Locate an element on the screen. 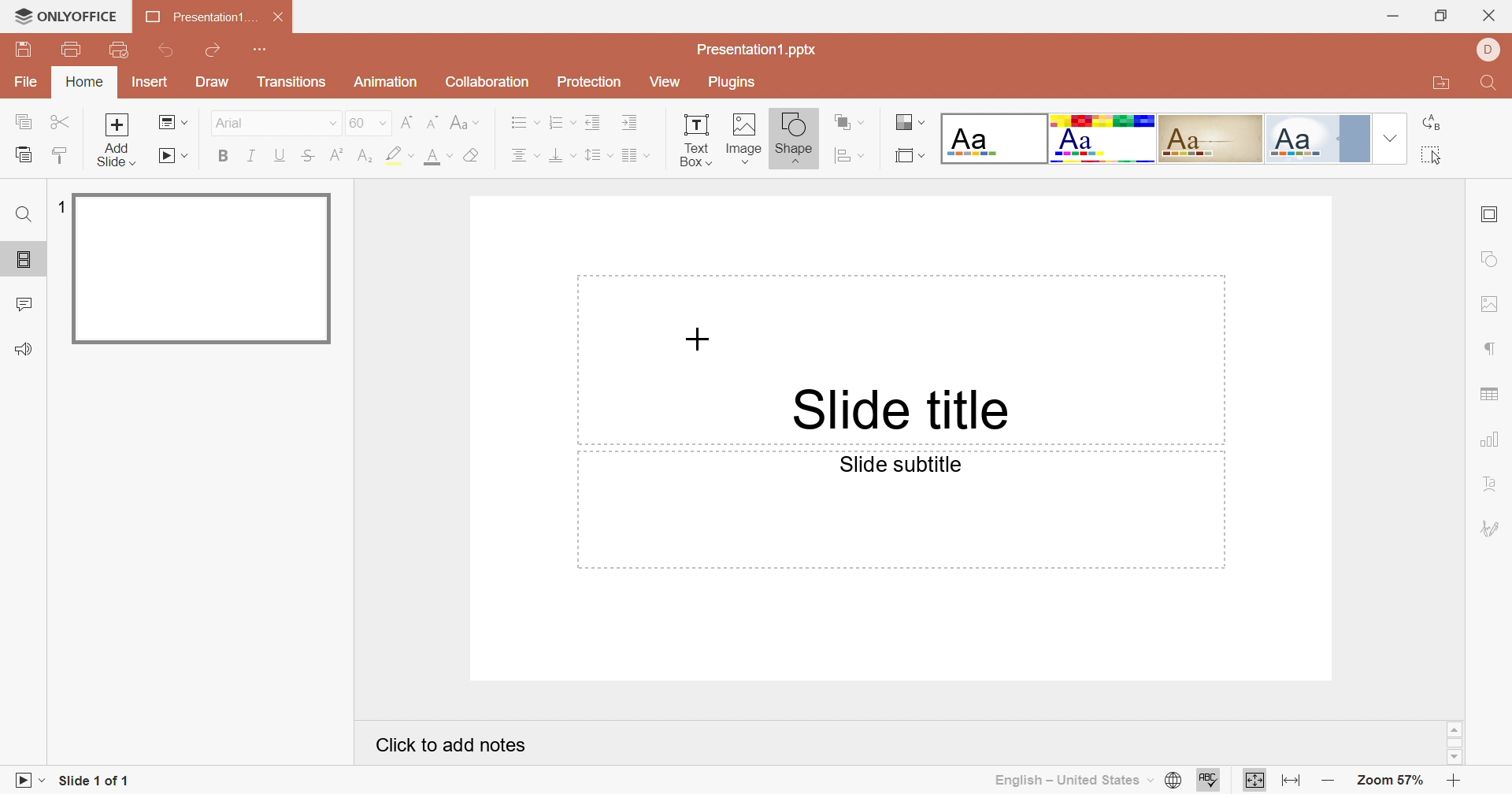 Image resolution: width=1512 pixels, height=794 pixels. Bold is located at coordinates (221, 154).